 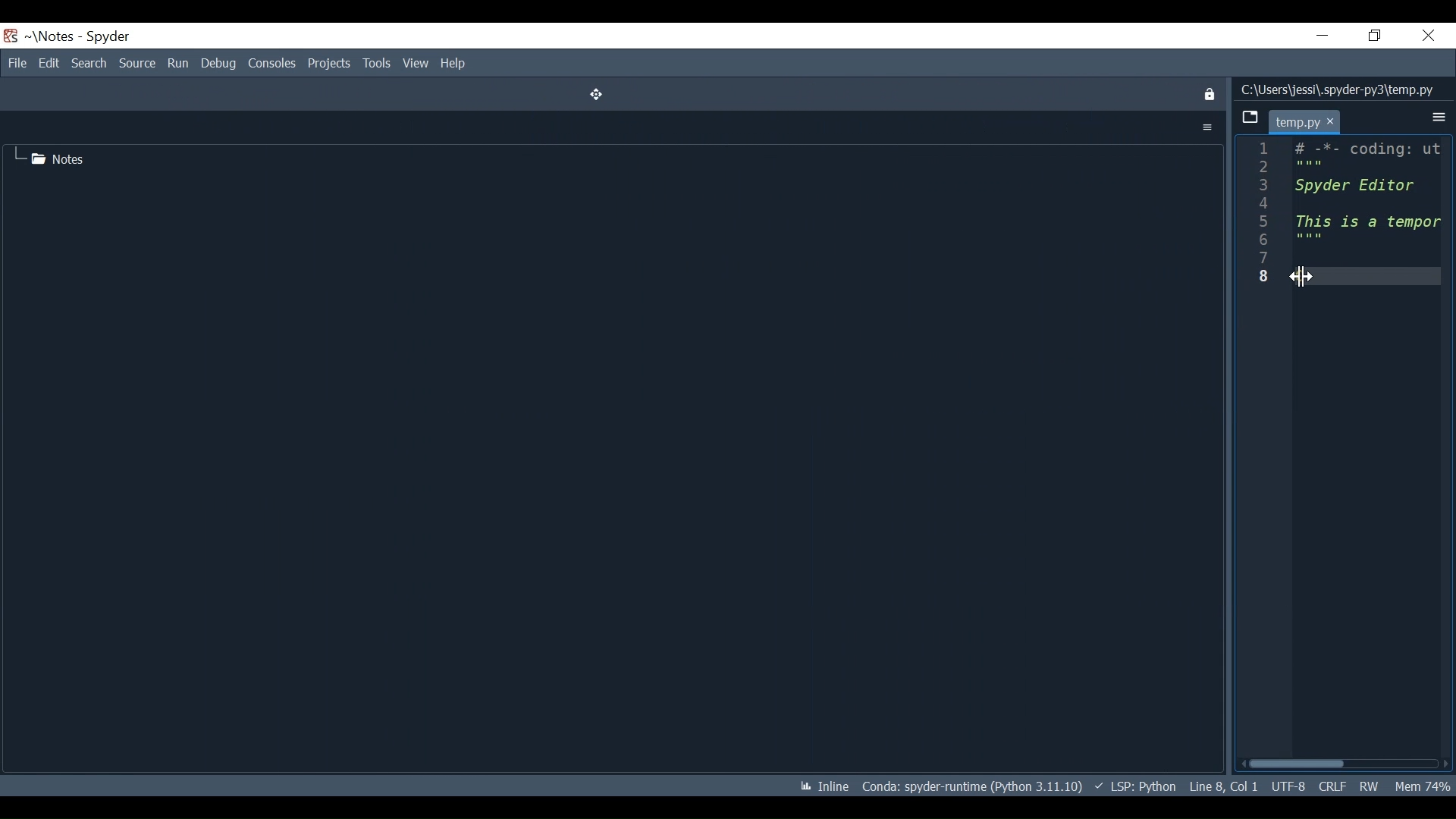 What do you see at coordinates (1265, 215) in the screenshot?
I see `line number` at bounding box center [1265, 215].